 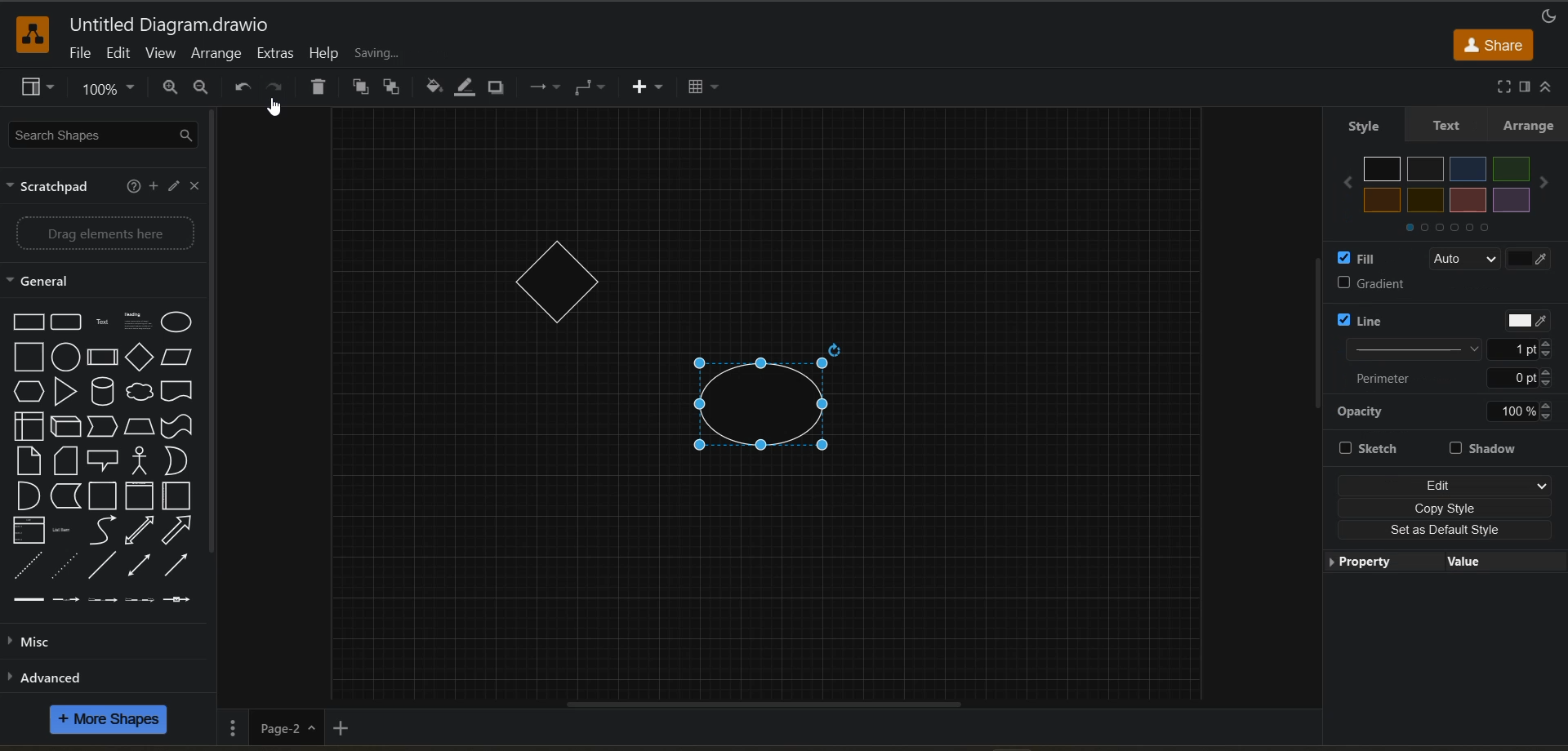 I want to click on waypoints, so click(x=594, y=90).